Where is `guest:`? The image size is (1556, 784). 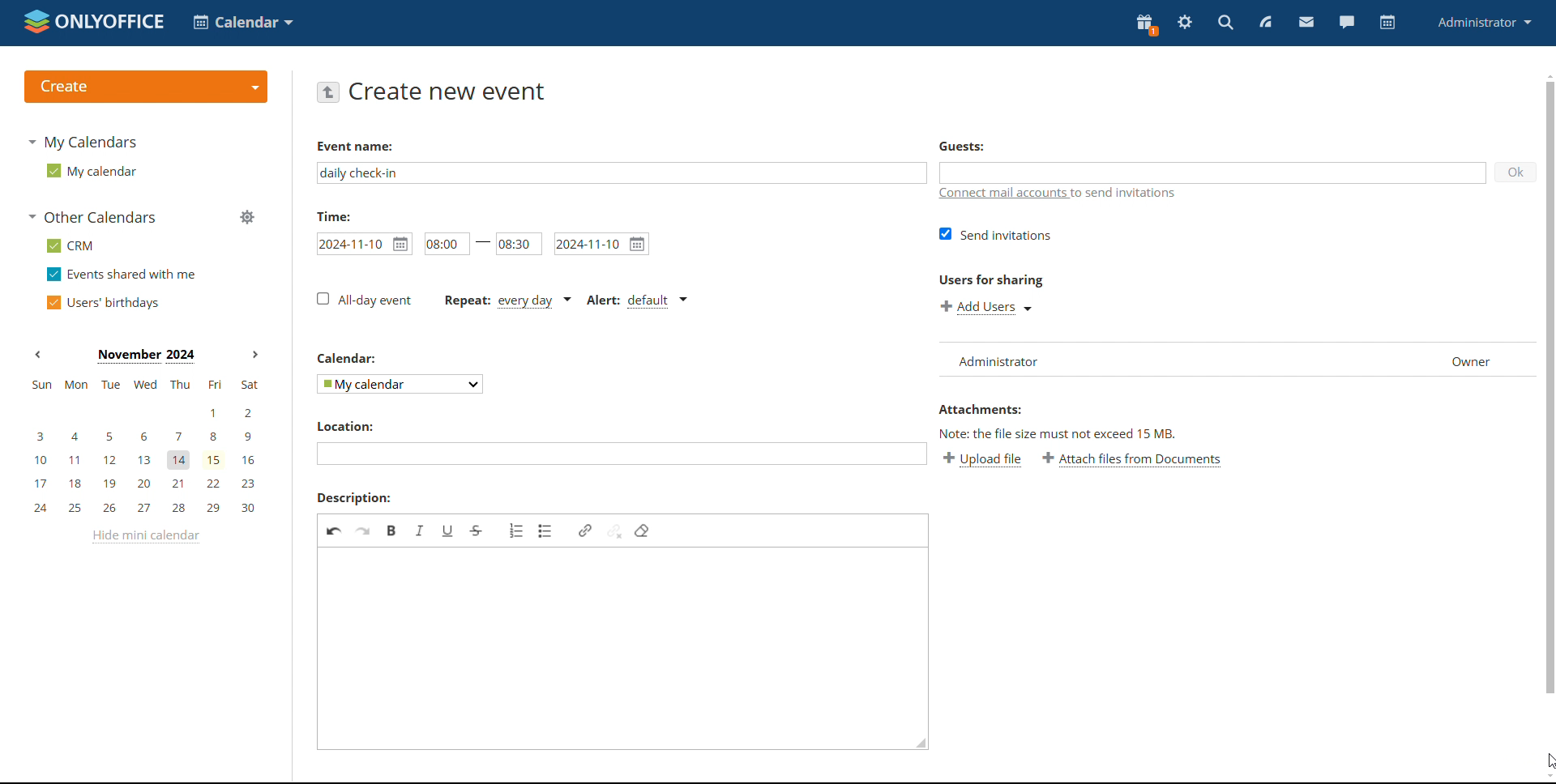
guest: is located at coordinates (977, 144).